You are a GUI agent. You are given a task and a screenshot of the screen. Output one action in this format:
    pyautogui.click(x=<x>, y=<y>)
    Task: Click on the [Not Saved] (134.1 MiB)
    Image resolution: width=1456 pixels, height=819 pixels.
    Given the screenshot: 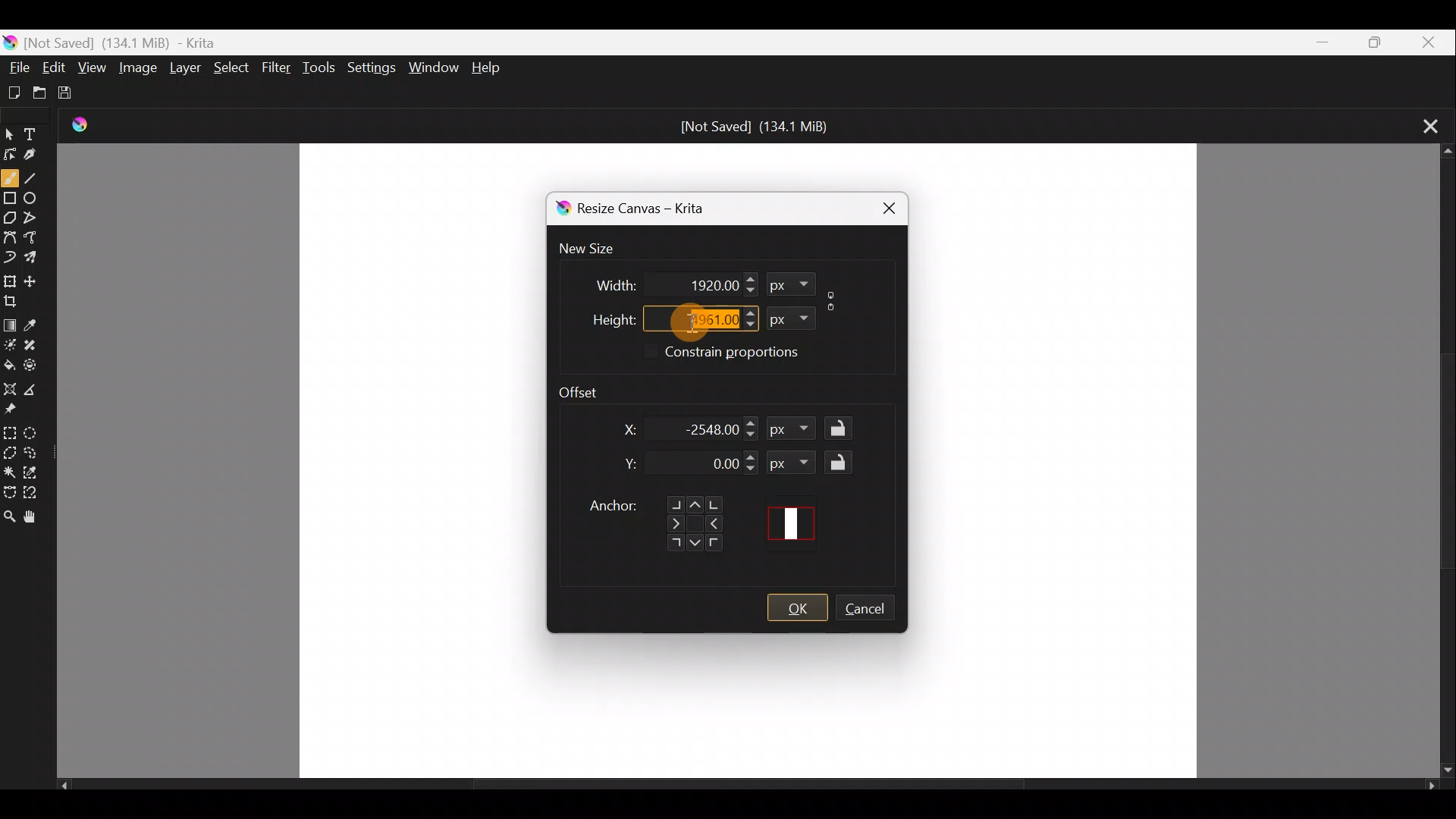 What is the action you would take?
    pyautogui.click(x=755, y=127)
    